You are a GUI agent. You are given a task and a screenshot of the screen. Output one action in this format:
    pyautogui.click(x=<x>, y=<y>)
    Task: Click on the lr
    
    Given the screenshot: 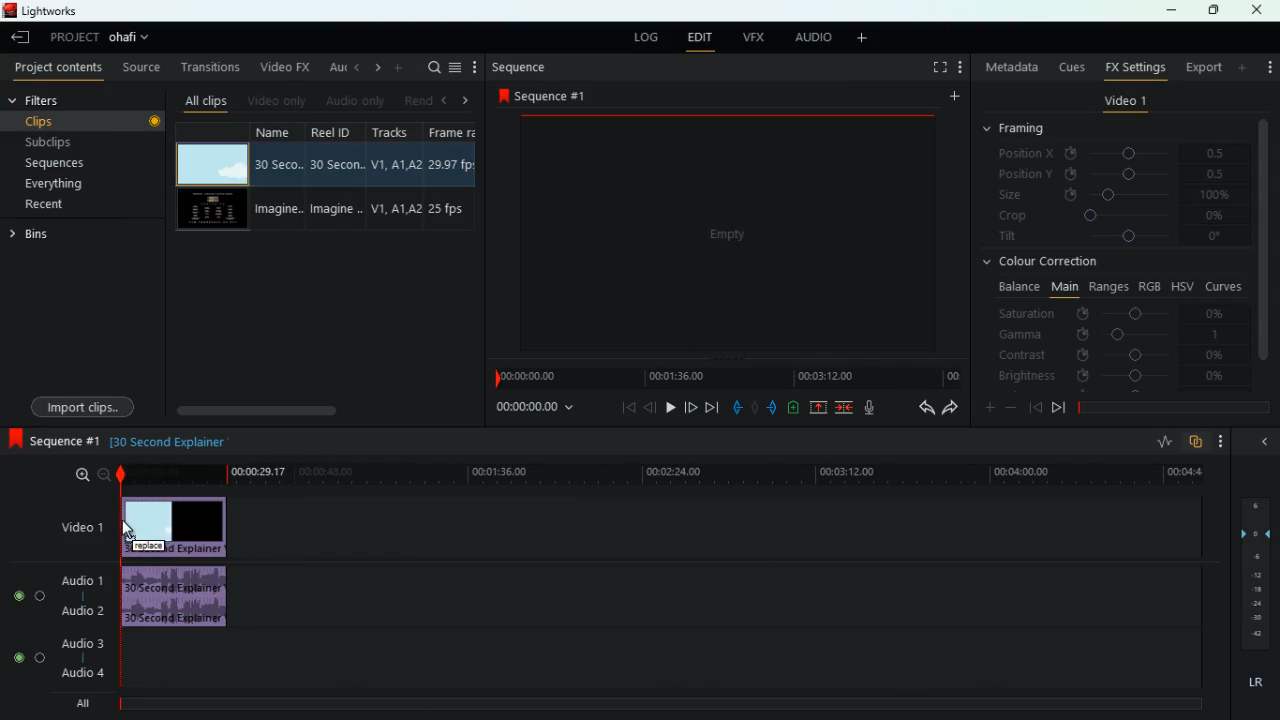 What is the action you would take?
    pyautogui.click(x=1254, y=683)
    